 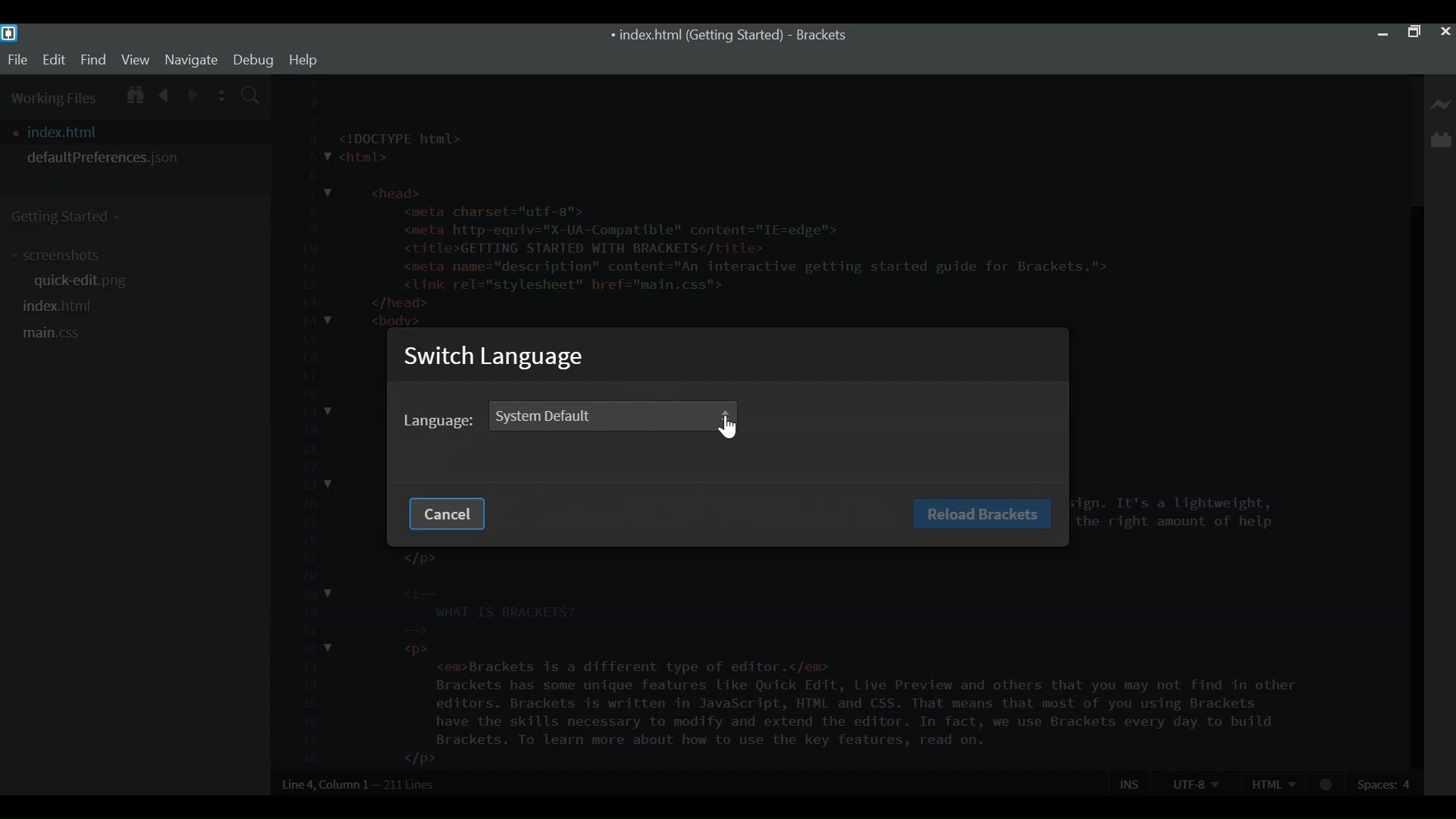 What do you see at coordinates (93, 59) in the screenshot?
I see `Find` at bounding box center [93, 59].